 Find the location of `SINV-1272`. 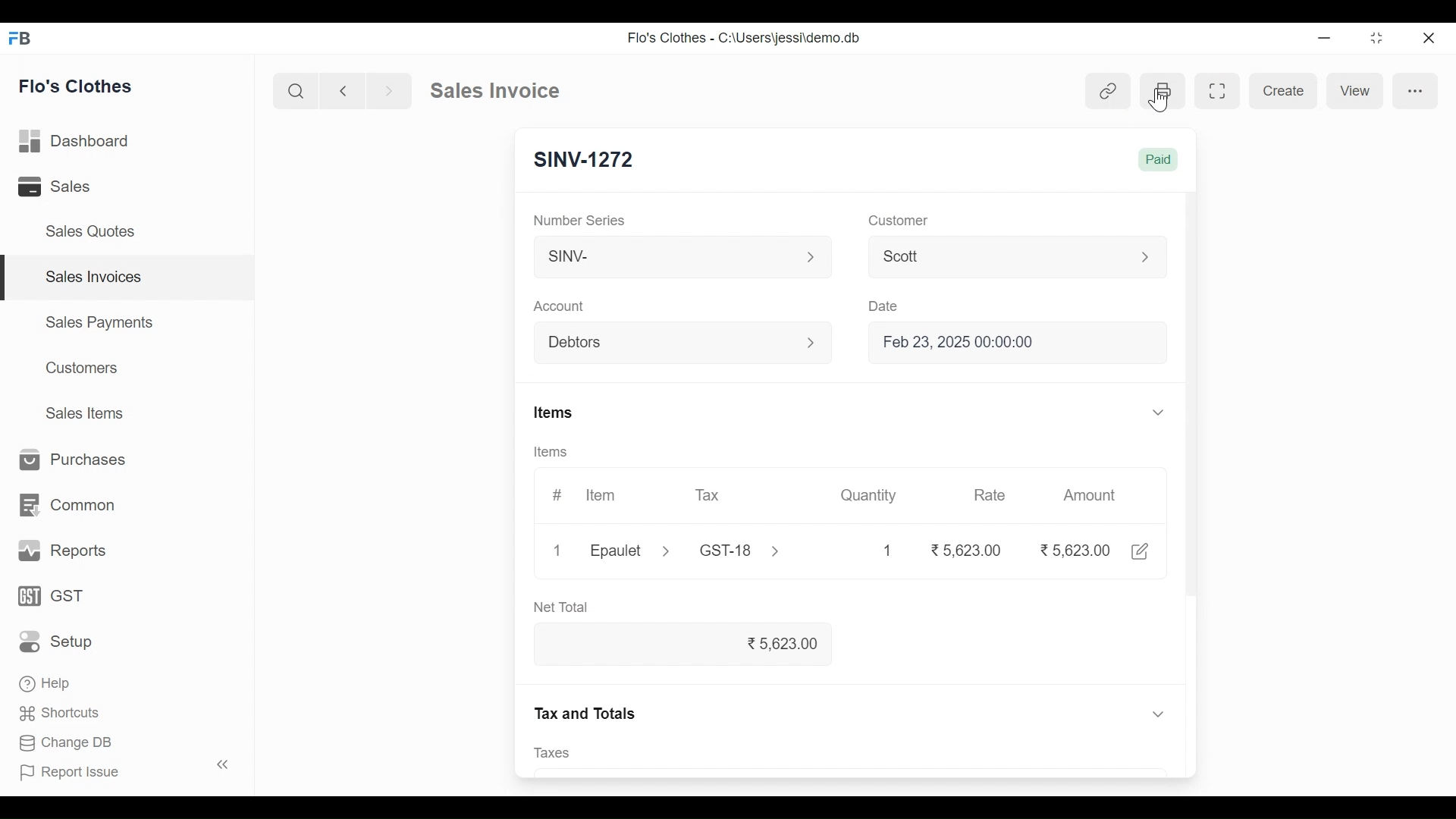

SINV-1272 is located at coordinates (591, 159).